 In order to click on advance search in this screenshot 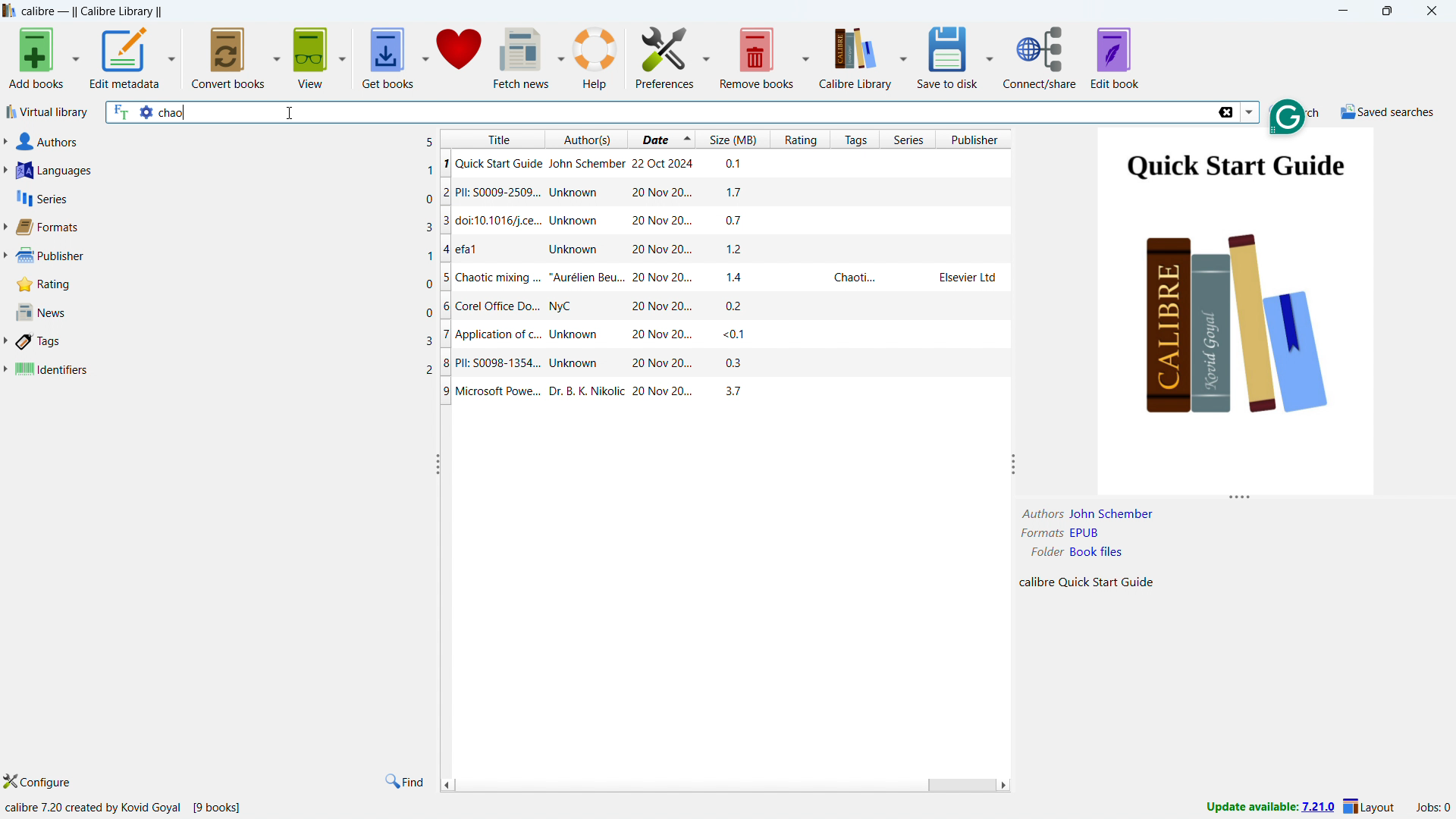, I will do `click(144, 112)`.